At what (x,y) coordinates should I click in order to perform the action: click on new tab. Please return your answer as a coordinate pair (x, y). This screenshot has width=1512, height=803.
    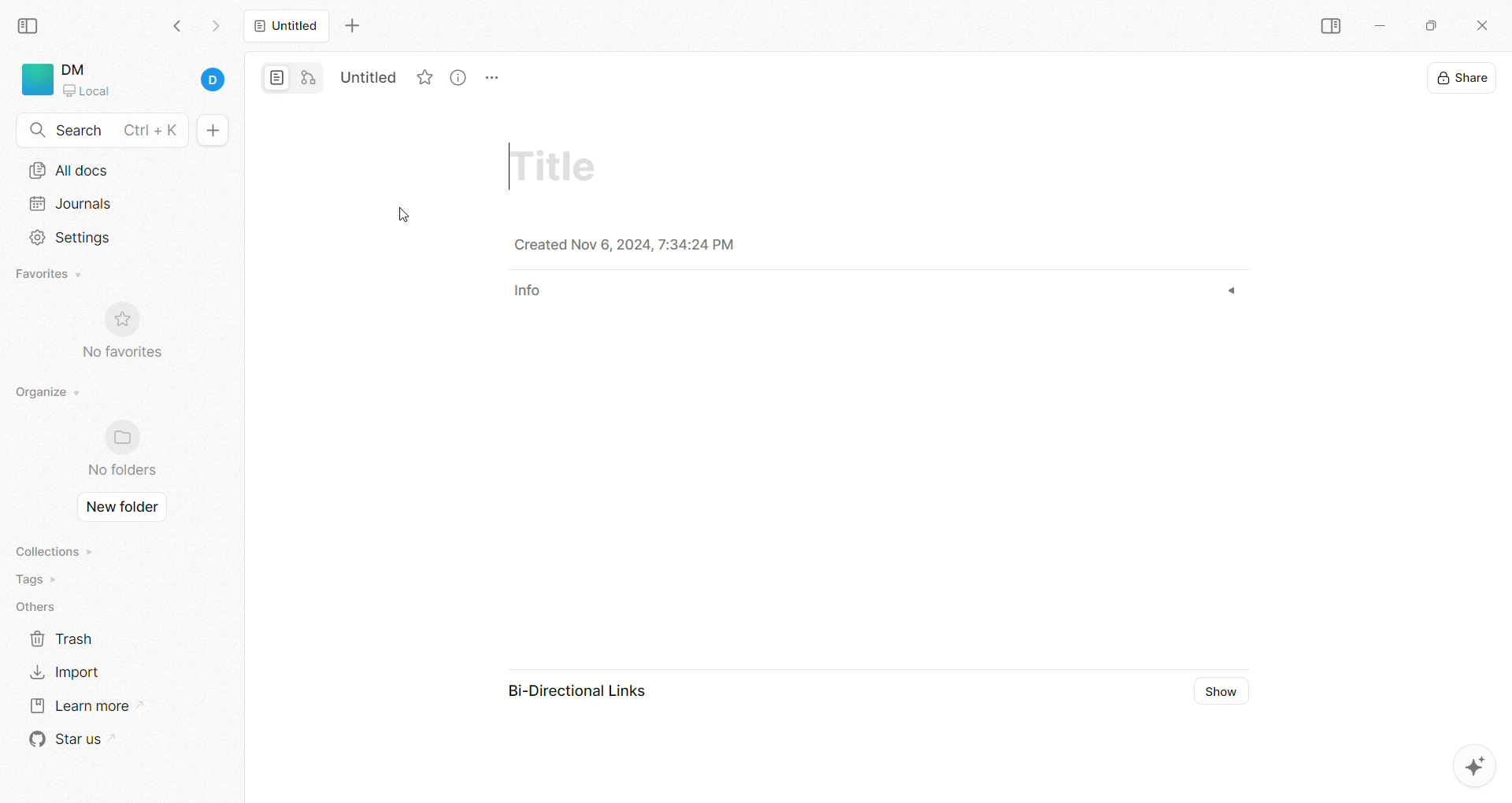
    Looking at the image, I should click on (352, 26).